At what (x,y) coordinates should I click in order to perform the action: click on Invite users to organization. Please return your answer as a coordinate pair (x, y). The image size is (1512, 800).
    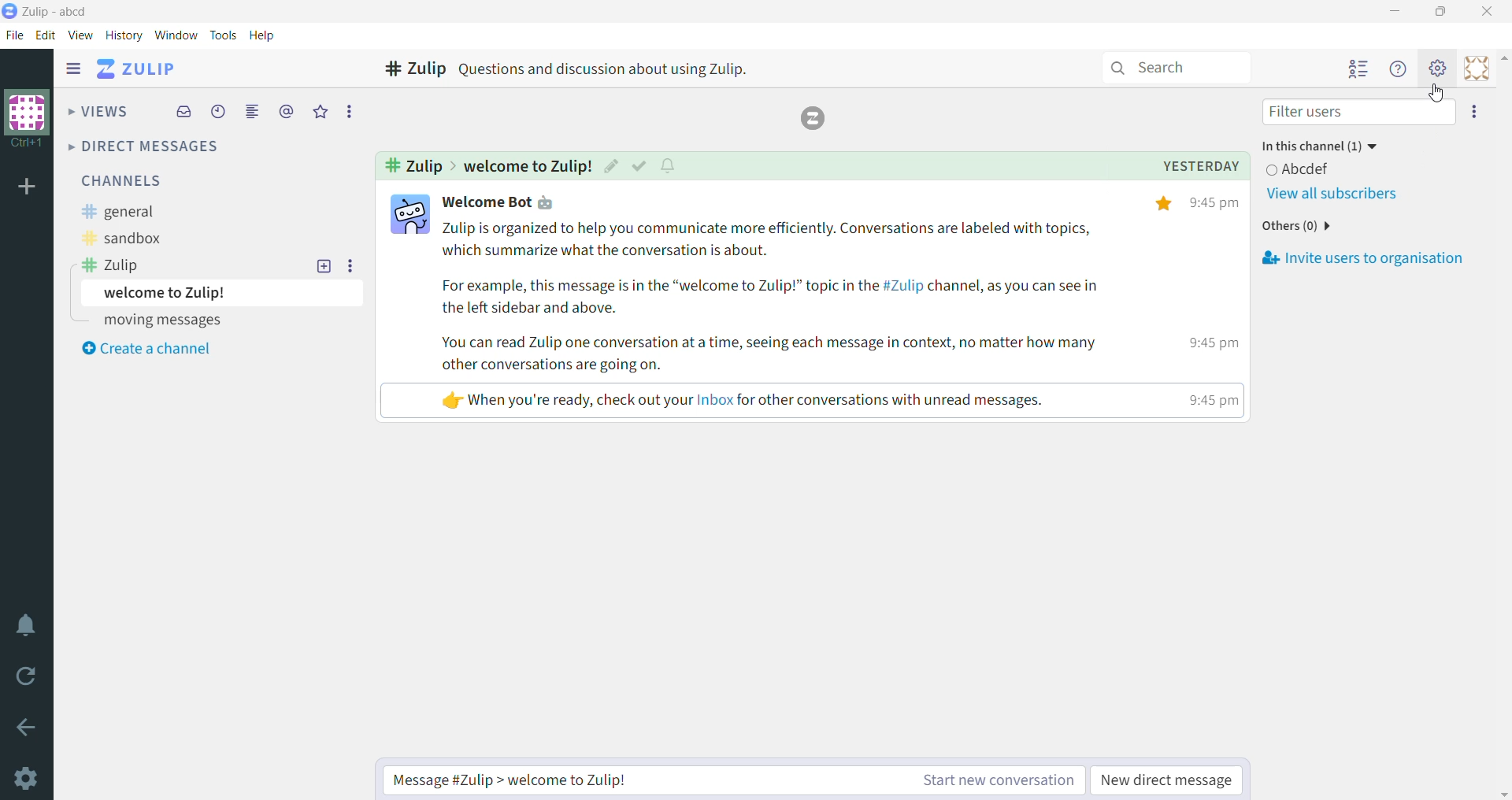
    Looking at the image, I should click on (1362, 259).